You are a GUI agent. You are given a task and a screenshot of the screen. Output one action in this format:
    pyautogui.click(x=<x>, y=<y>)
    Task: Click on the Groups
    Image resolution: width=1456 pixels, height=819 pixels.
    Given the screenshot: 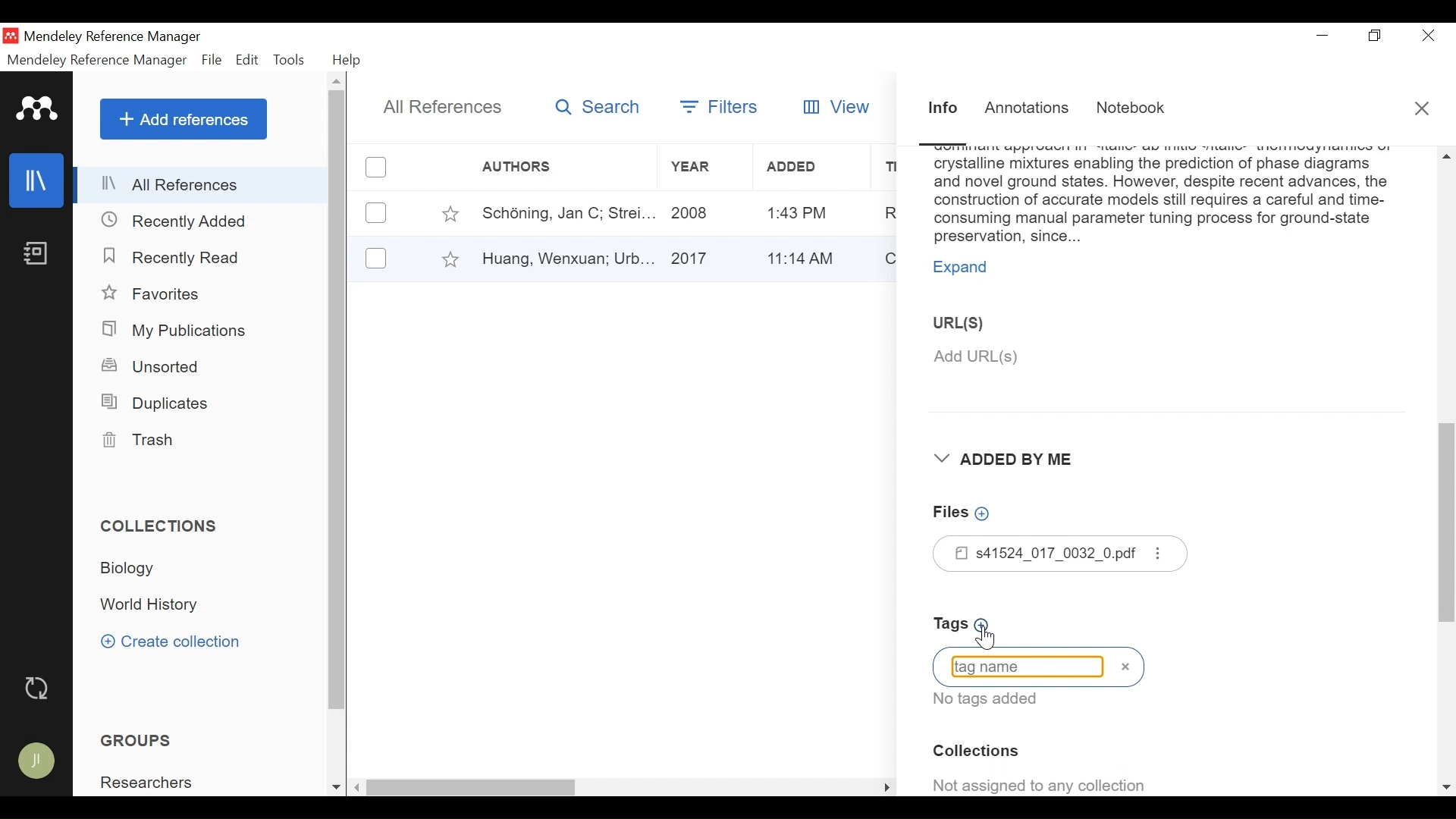 What is the action you would take?
    pyautogui.click(x=140, y=741)
    